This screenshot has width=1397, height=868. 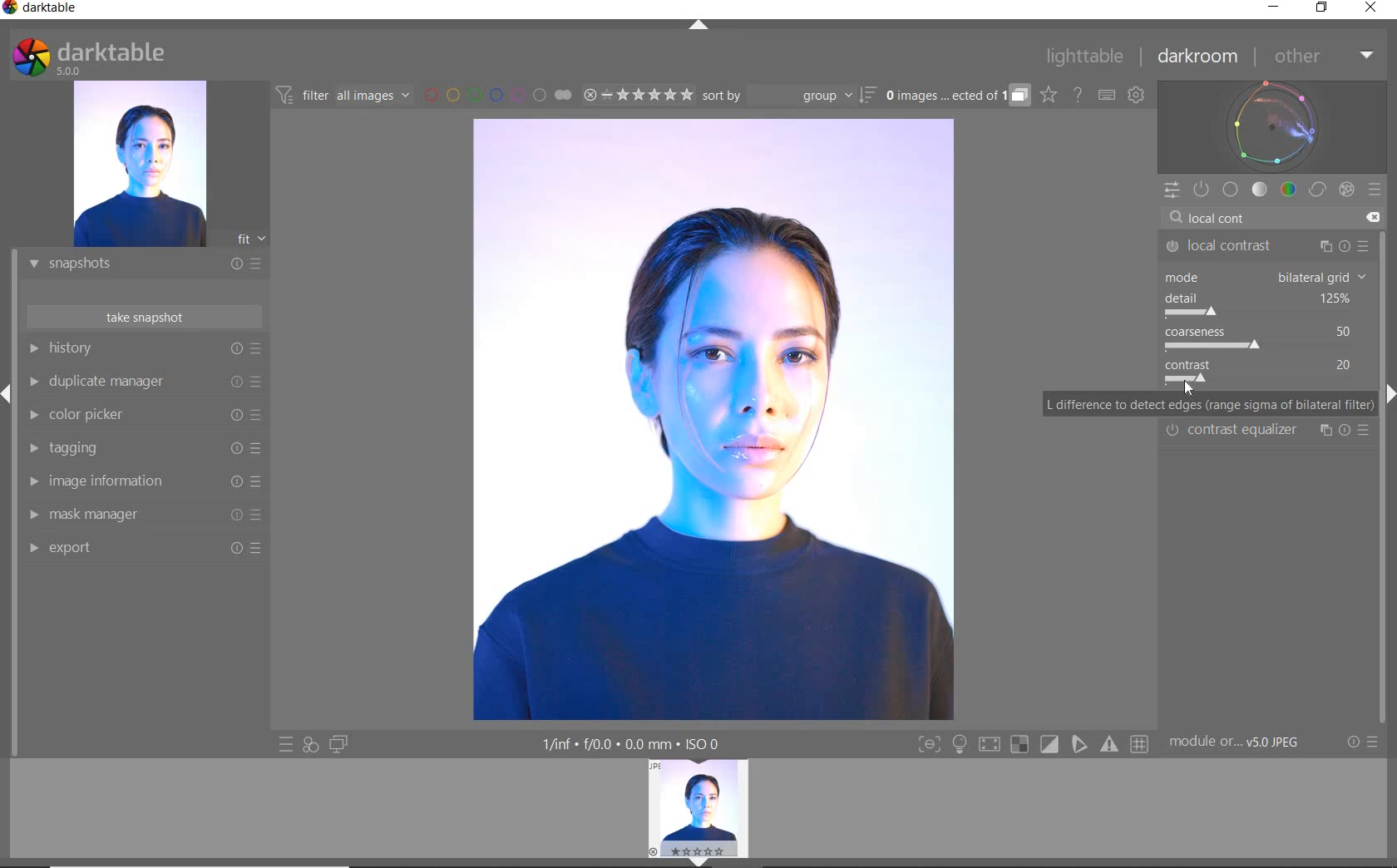 I want to click on Expand/Collapse, so click(x=1388, y=392).